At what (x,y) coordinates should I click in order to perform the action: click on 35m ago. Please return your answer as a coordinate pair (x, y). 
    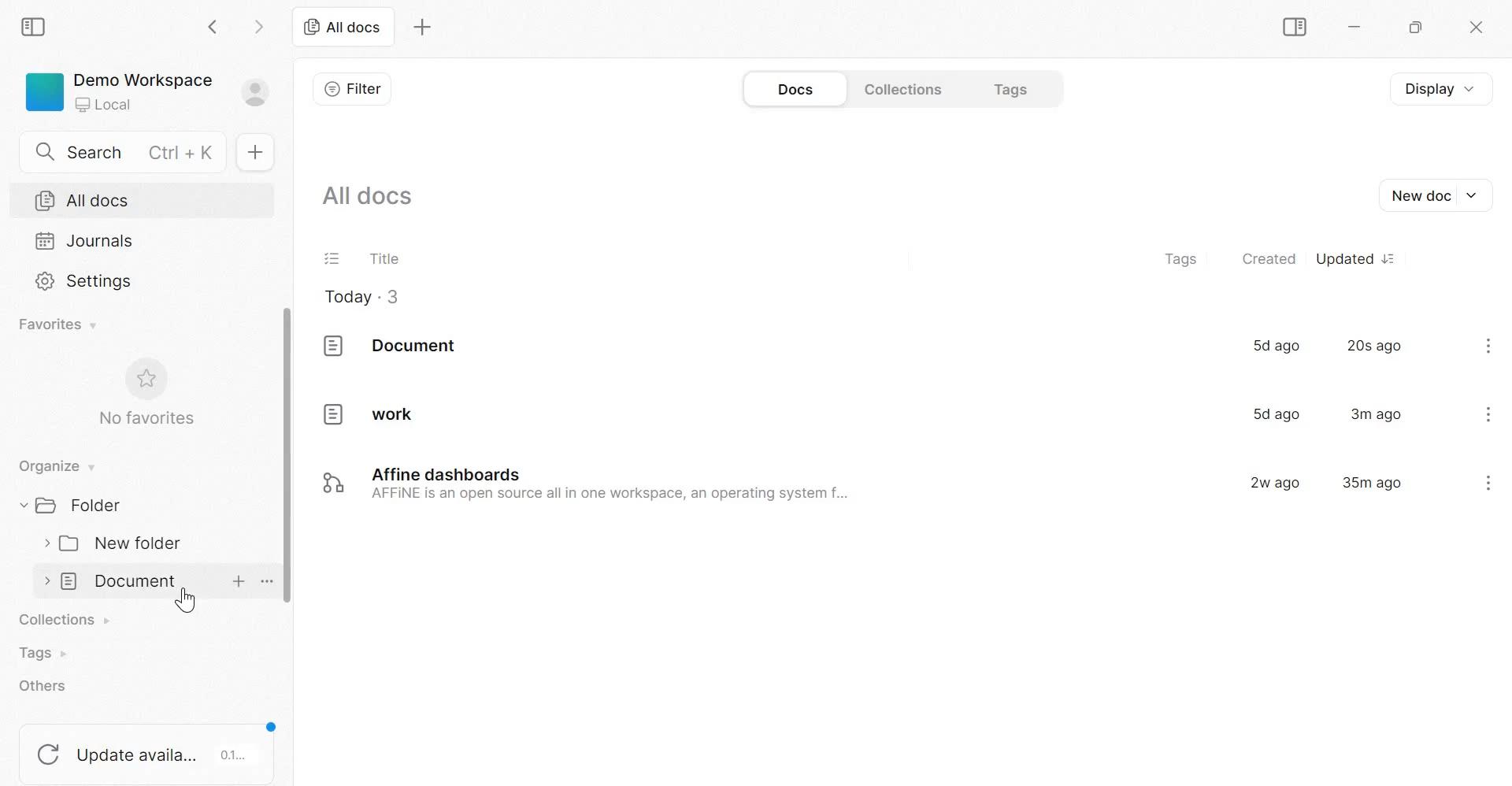
    Looking at the image, I should click on (1372, 484).